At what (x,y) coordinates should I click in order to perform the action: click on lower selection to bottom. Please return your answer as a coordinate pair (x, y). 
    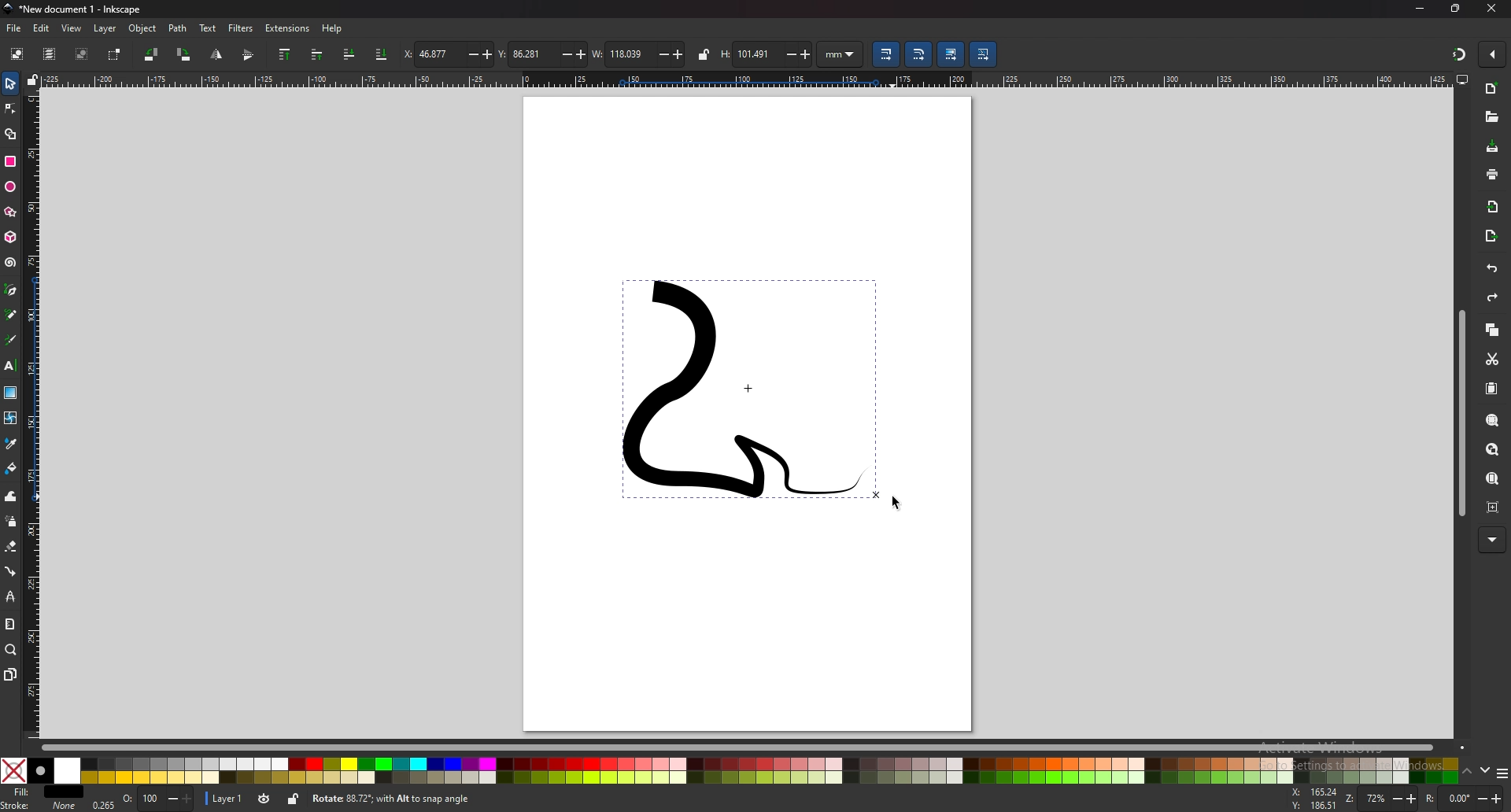
    Looking at the image, I should click on (381, 54).